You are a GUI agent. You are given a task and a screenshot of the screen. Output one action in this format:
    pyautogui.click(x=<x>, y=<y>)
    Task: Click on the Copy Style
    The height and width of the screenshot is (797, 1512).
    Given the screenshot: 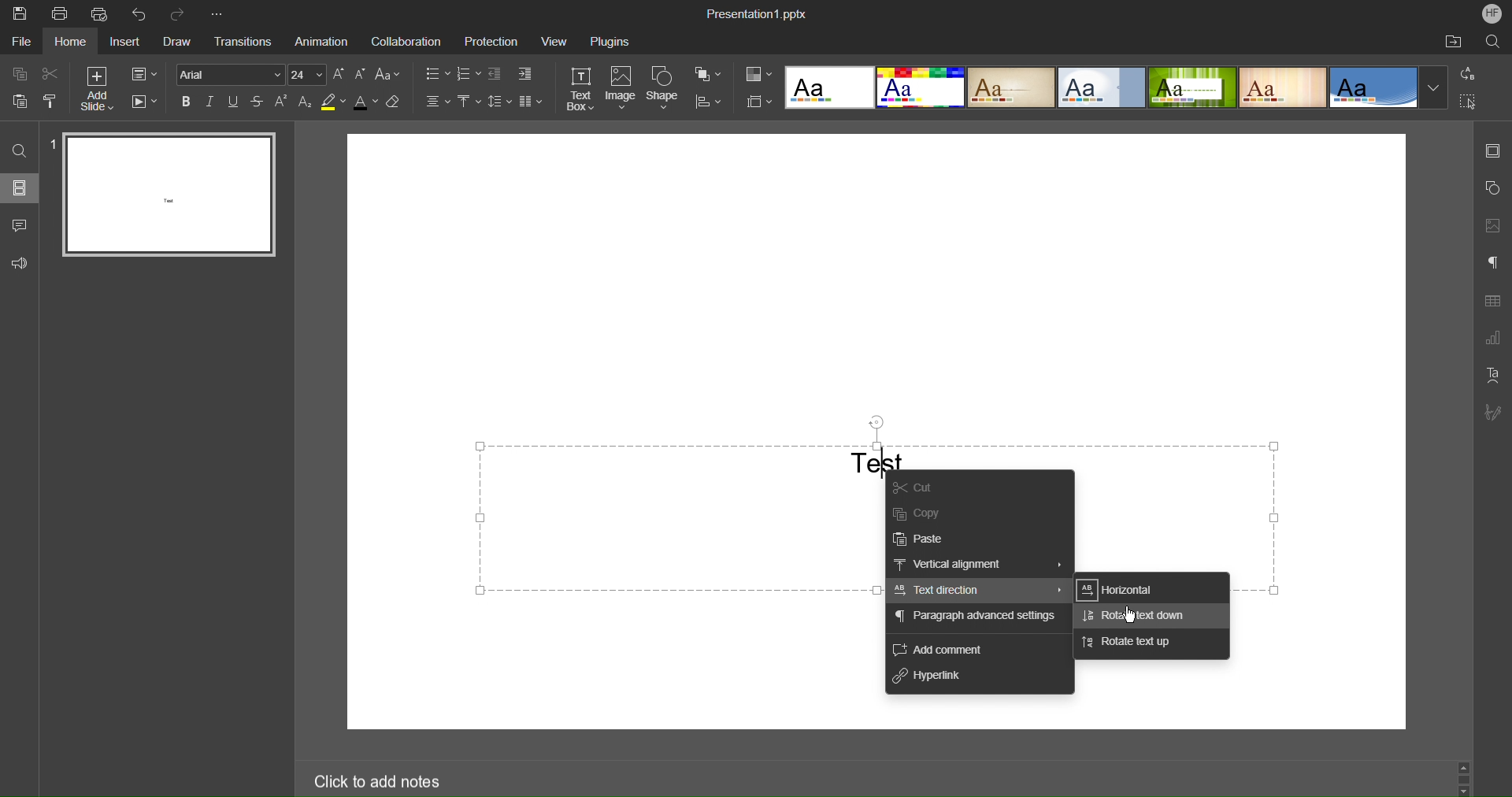 What is the action you would take?
    pyautogui.click(x=51, y=101)
    